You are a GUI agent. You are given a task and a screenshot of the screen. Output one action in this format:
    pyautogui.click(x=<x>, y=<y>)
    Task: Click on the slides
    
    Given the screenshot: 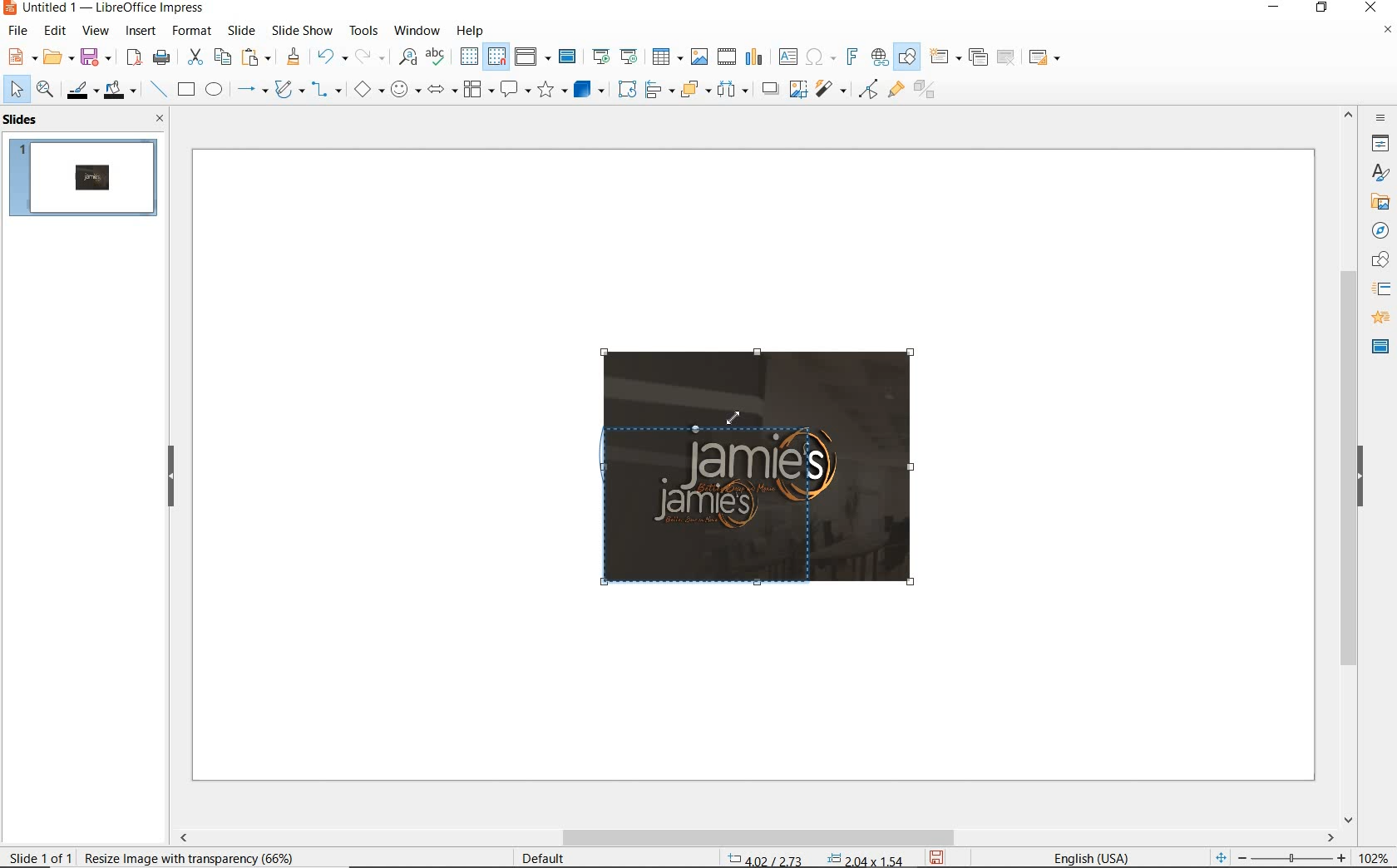 What is the action you would take?
    pyautogui.click(x=24, y=120)
    